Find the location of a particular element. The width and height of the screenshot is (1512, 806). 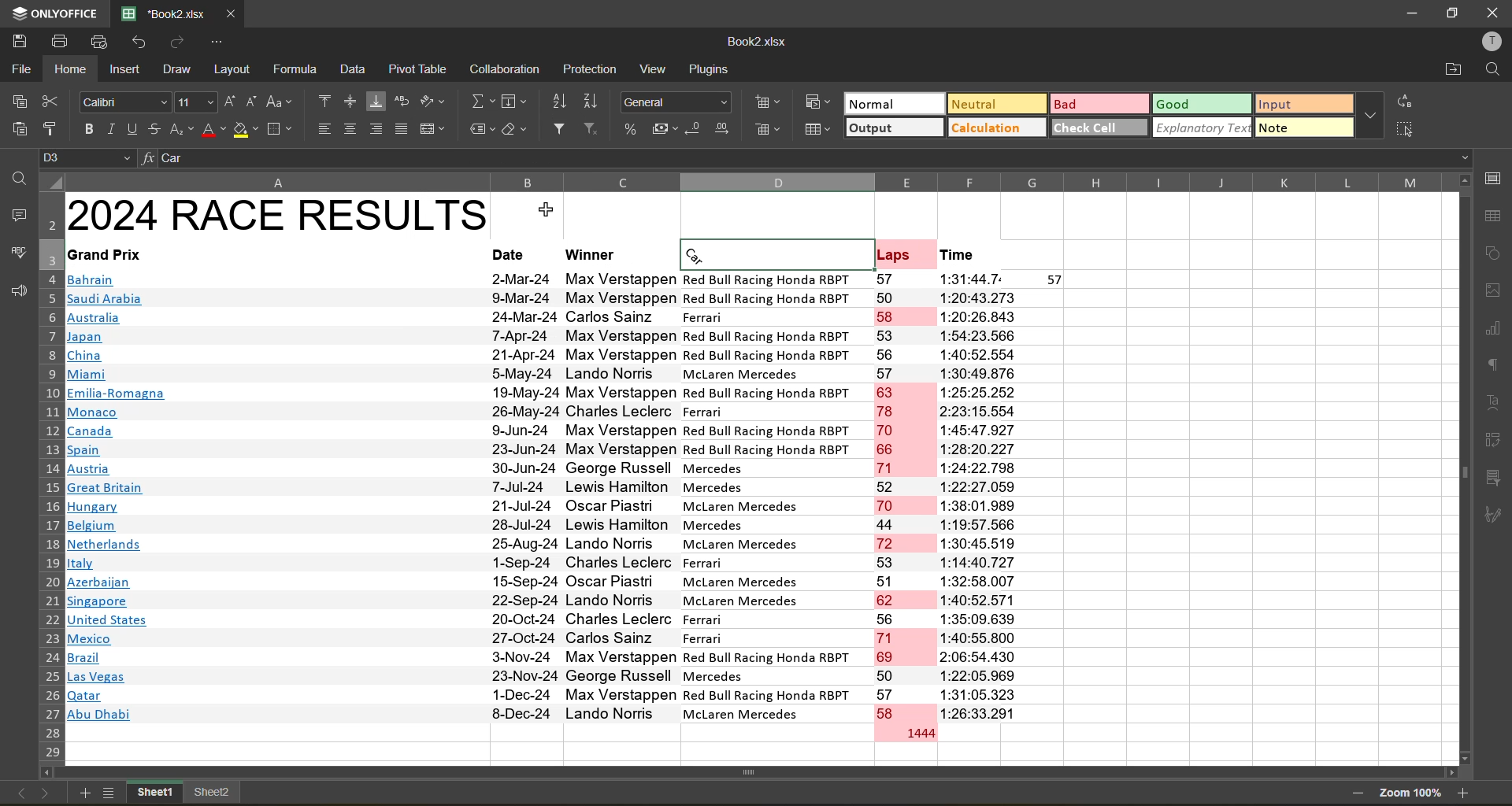

italic is located at coordinates (109, 129).